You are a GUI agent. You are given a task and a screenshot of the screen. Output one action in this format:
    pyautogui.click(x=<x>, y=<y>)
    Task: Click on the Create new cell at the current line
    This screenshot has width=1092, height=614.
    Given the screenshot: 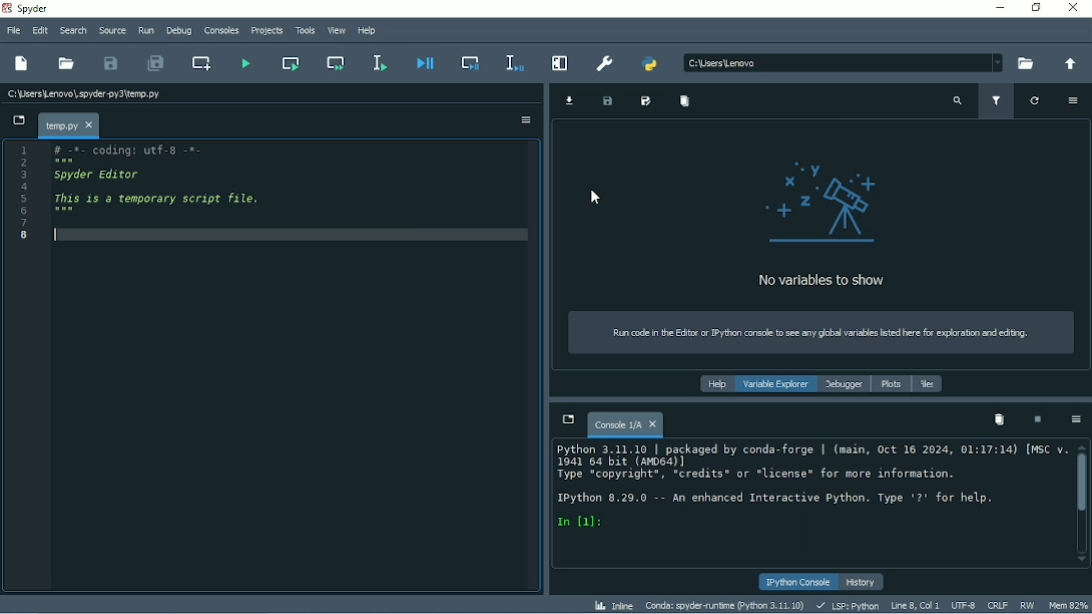 What is the action you would take?
    pyautogui.click(x=201, y=63)
    